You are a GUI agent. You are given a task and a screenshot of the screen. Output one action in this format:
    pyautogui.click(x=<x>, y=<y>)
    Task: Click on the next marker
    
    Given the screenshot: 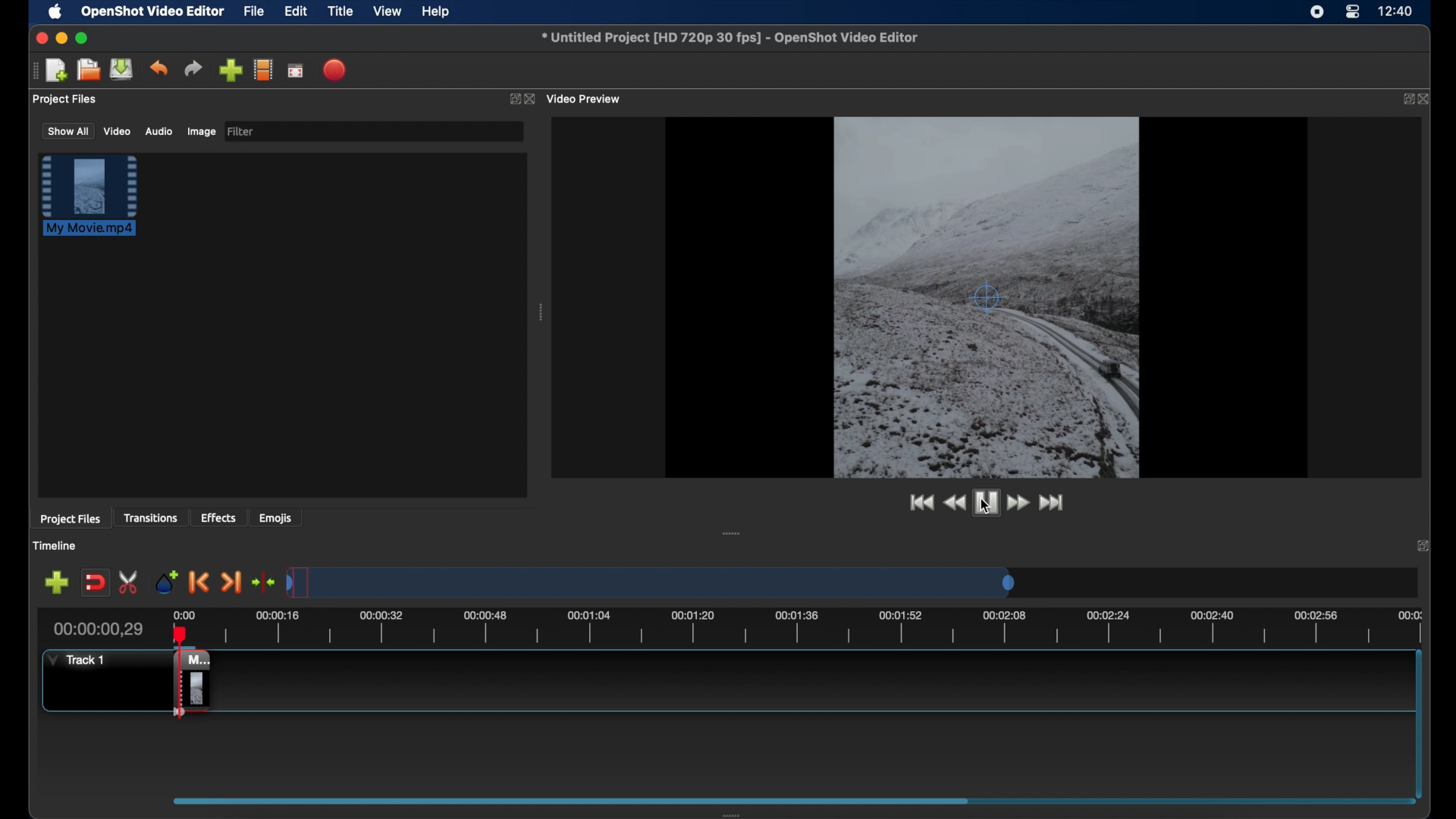 What is the action you would take?
    pyautogui.click(x=231, y=583)
    